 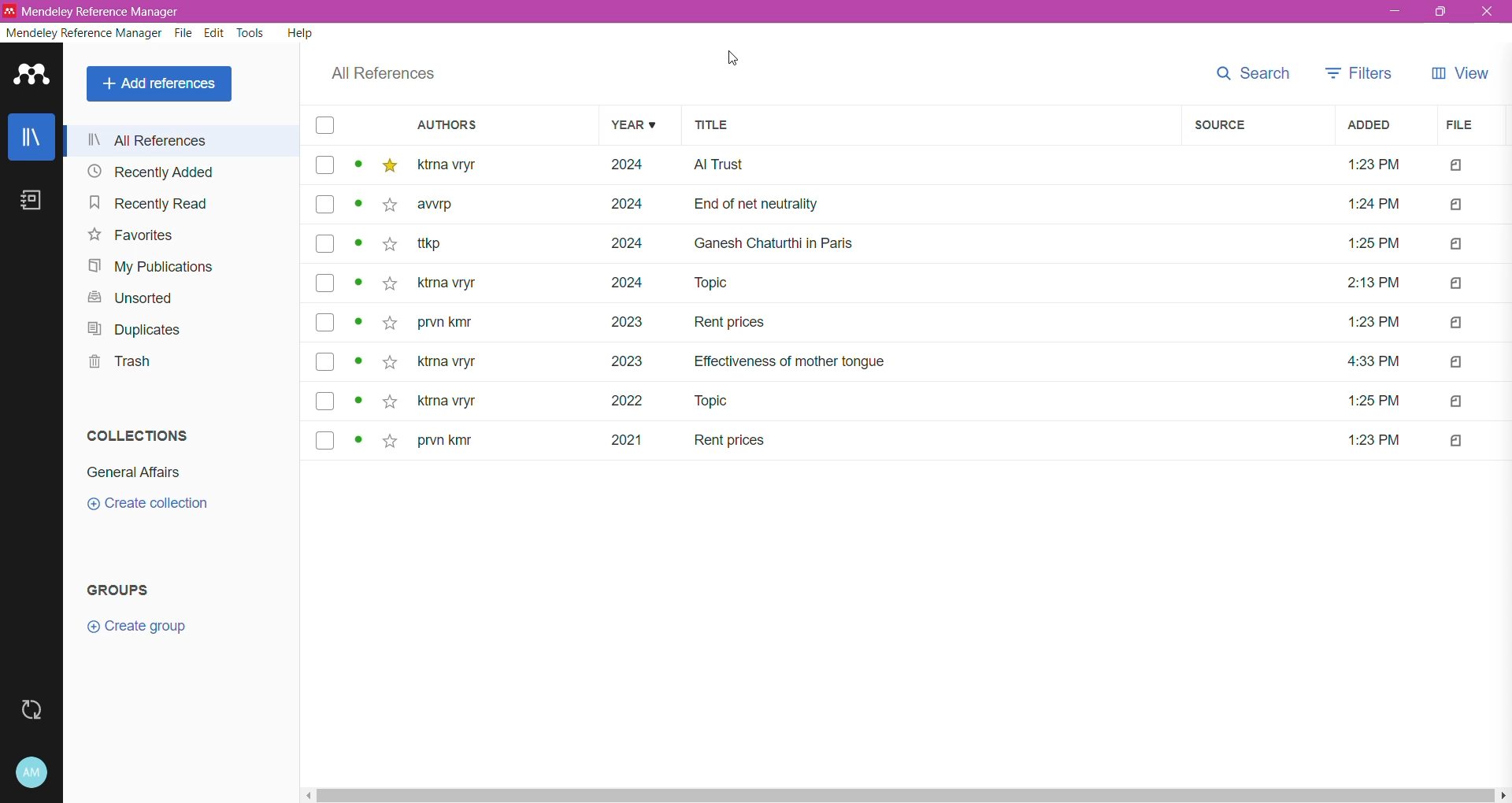 What do you see at coordinates (713, 125) in the screenshot?
I see `title` at bounding box center [713, 125].